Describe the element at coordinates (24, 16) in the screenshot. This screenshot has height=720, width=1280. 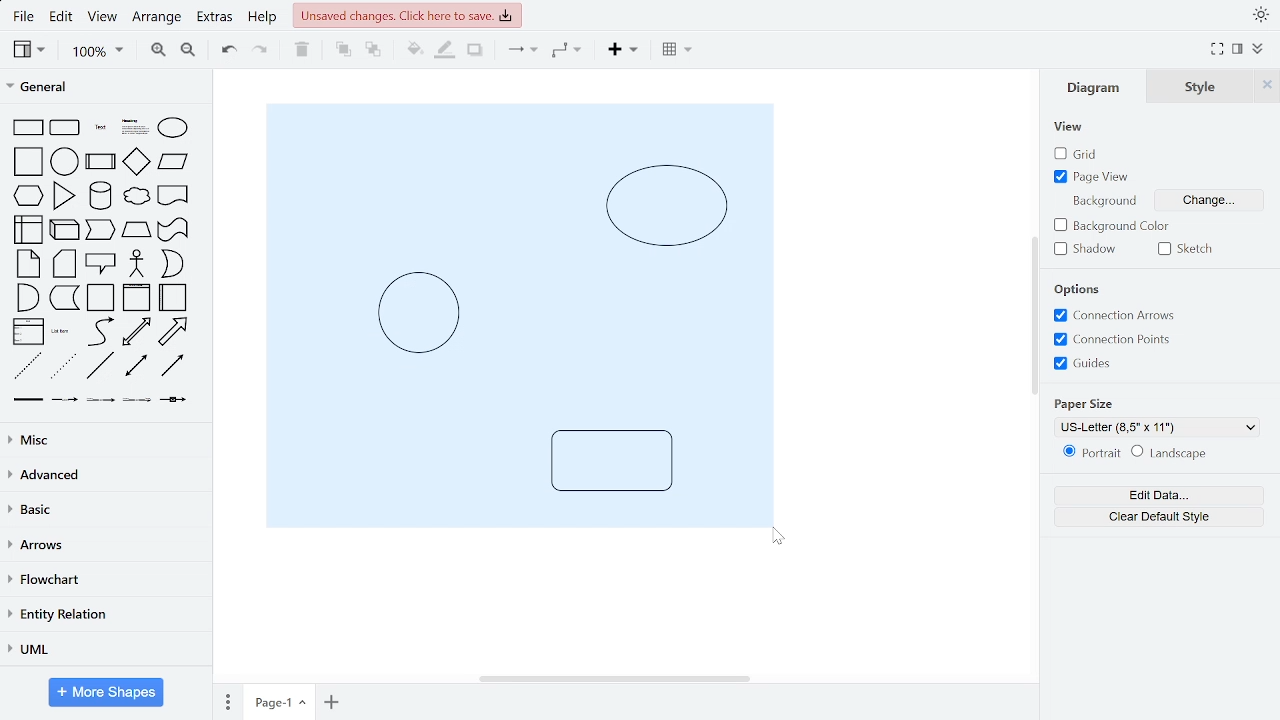
I see `file` at that location.